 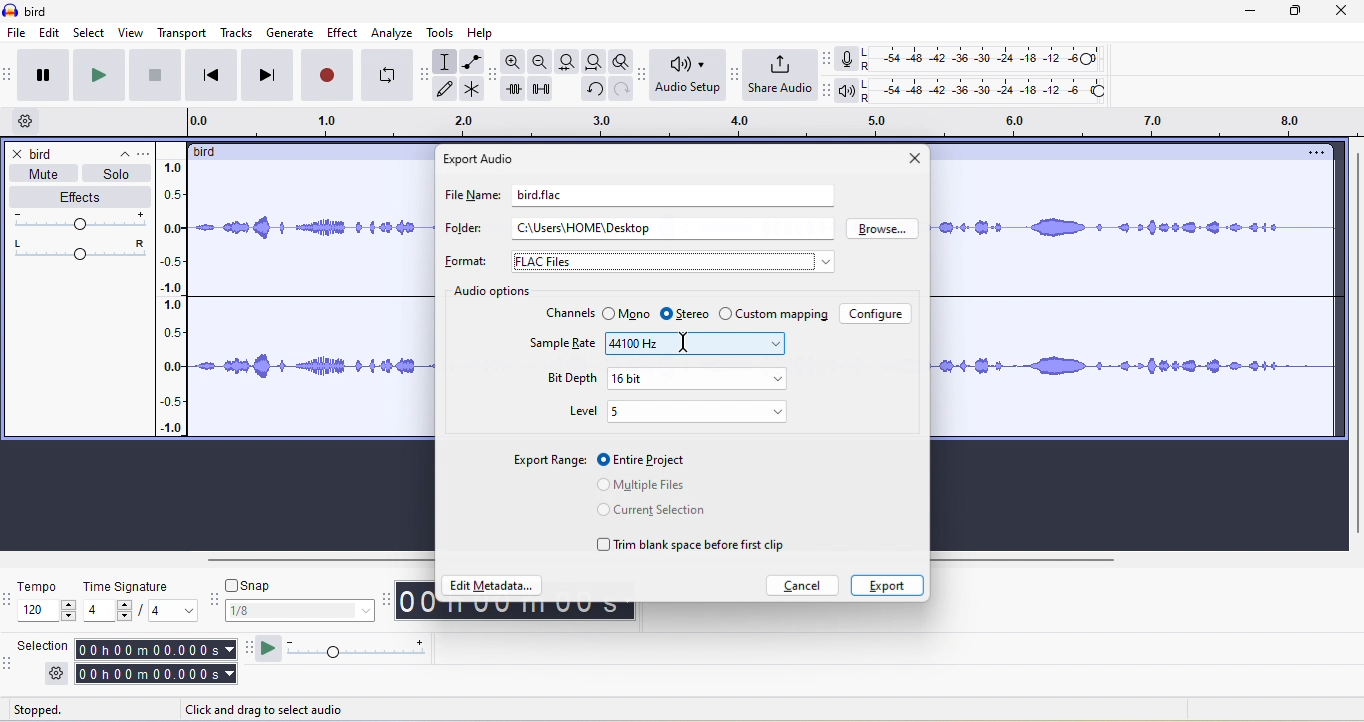 I want to click on entire project, so click(x=648, y=458).